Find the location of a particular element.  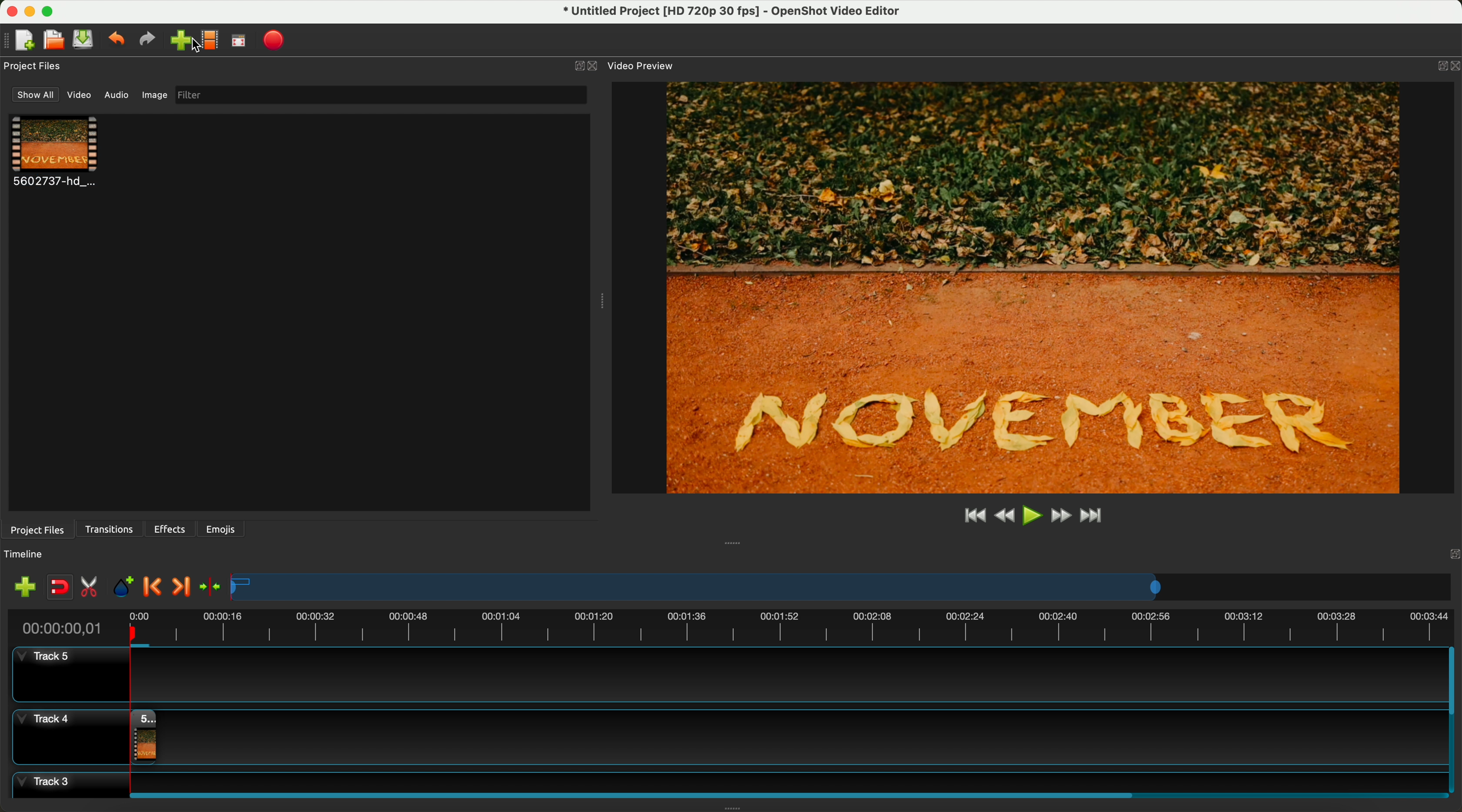

save file is located at coordinates (85, 40).